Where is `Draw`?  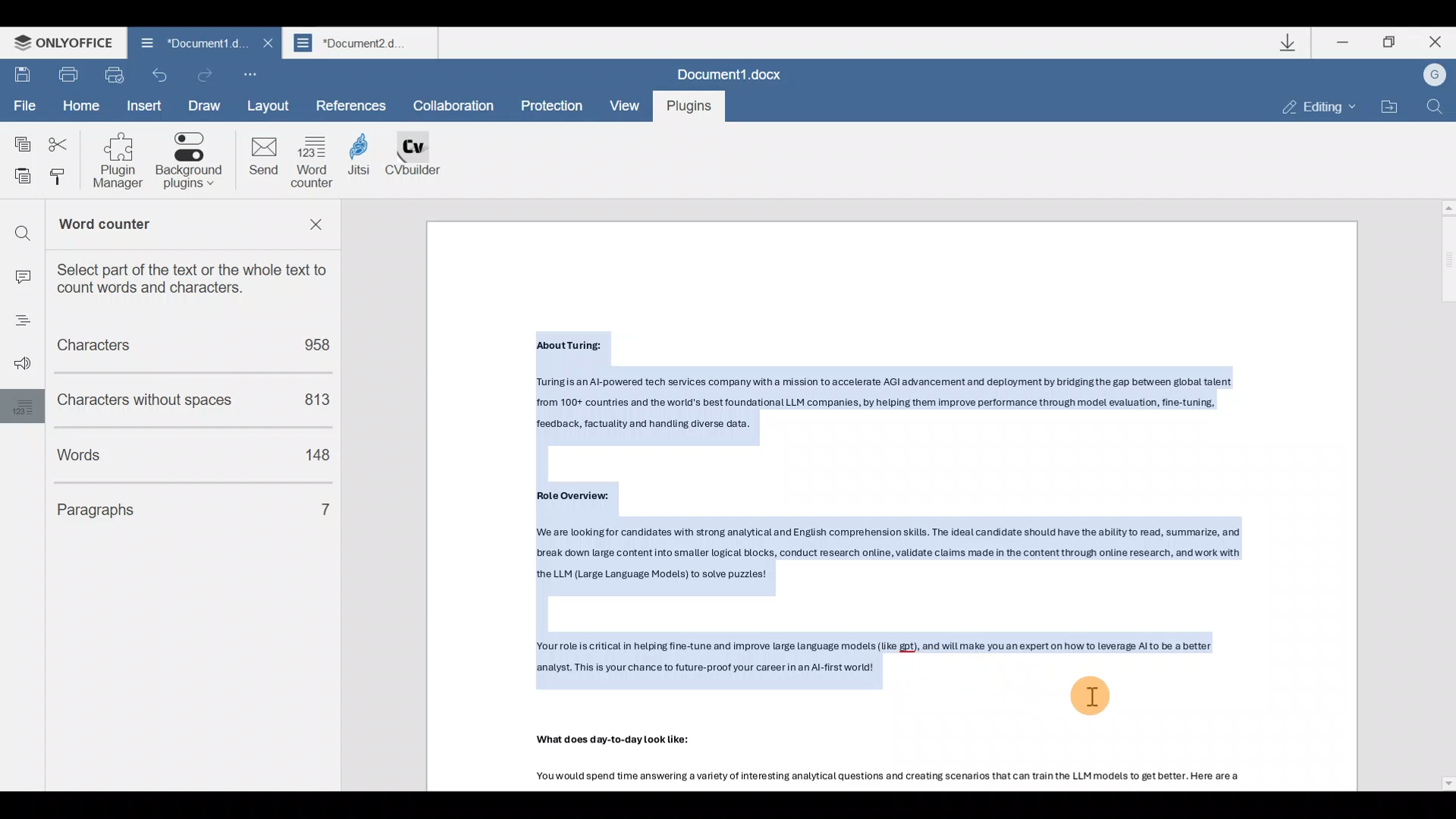
Draw is located at coordinates (206, 106).